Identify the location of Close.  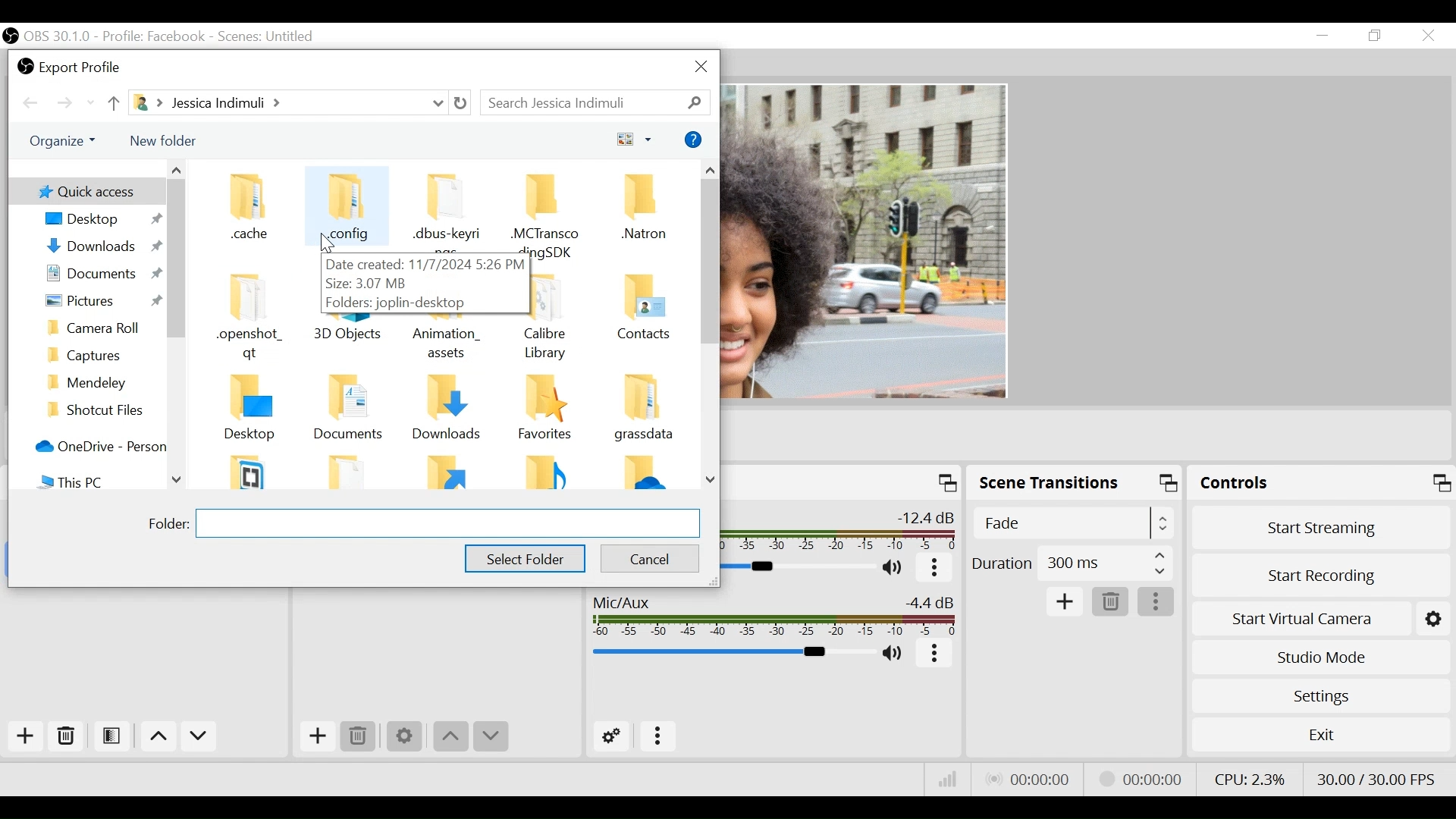
(702, 67).